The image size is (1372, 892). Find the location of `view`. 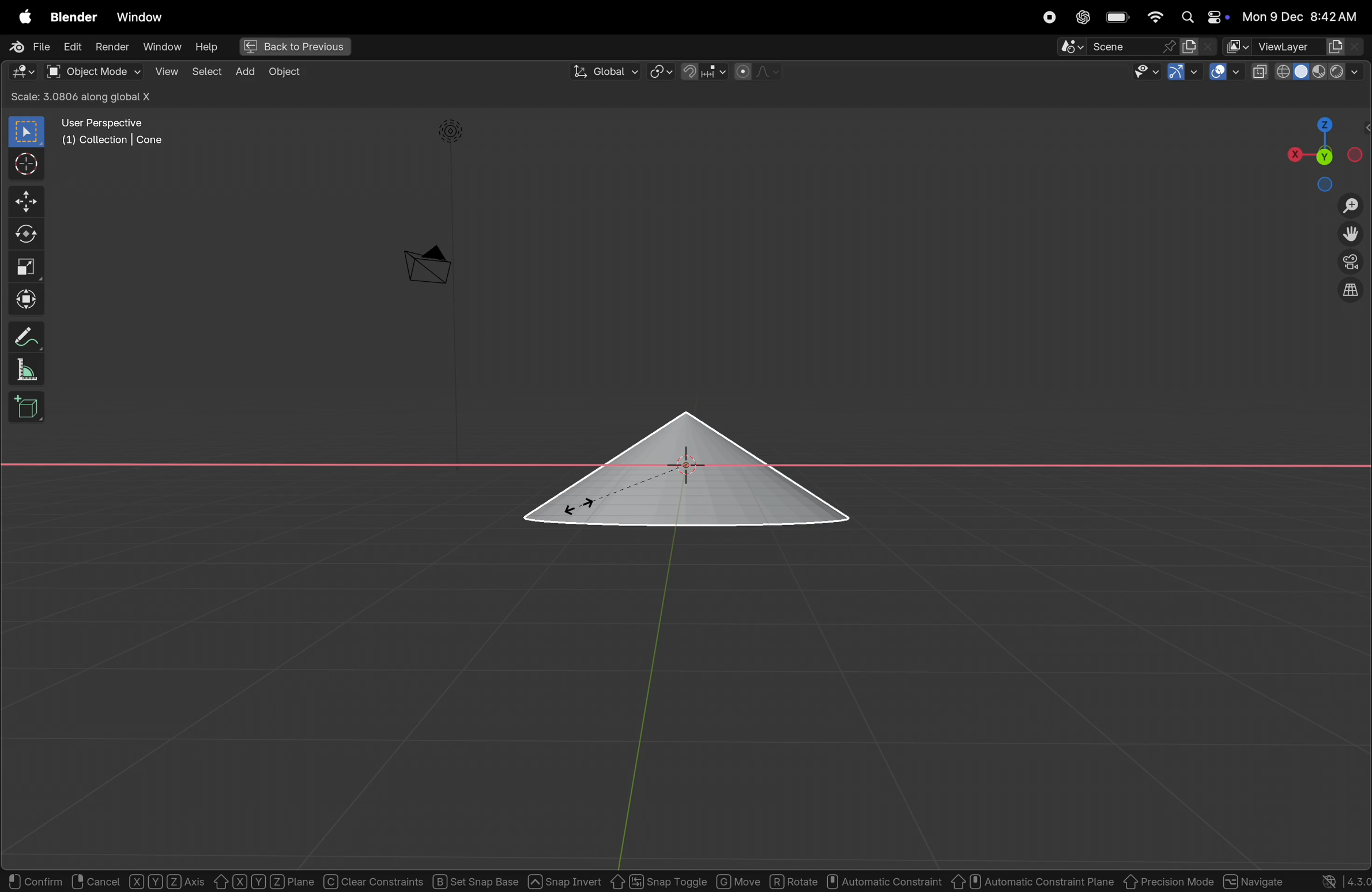

view is located at coordinates (163, 71).